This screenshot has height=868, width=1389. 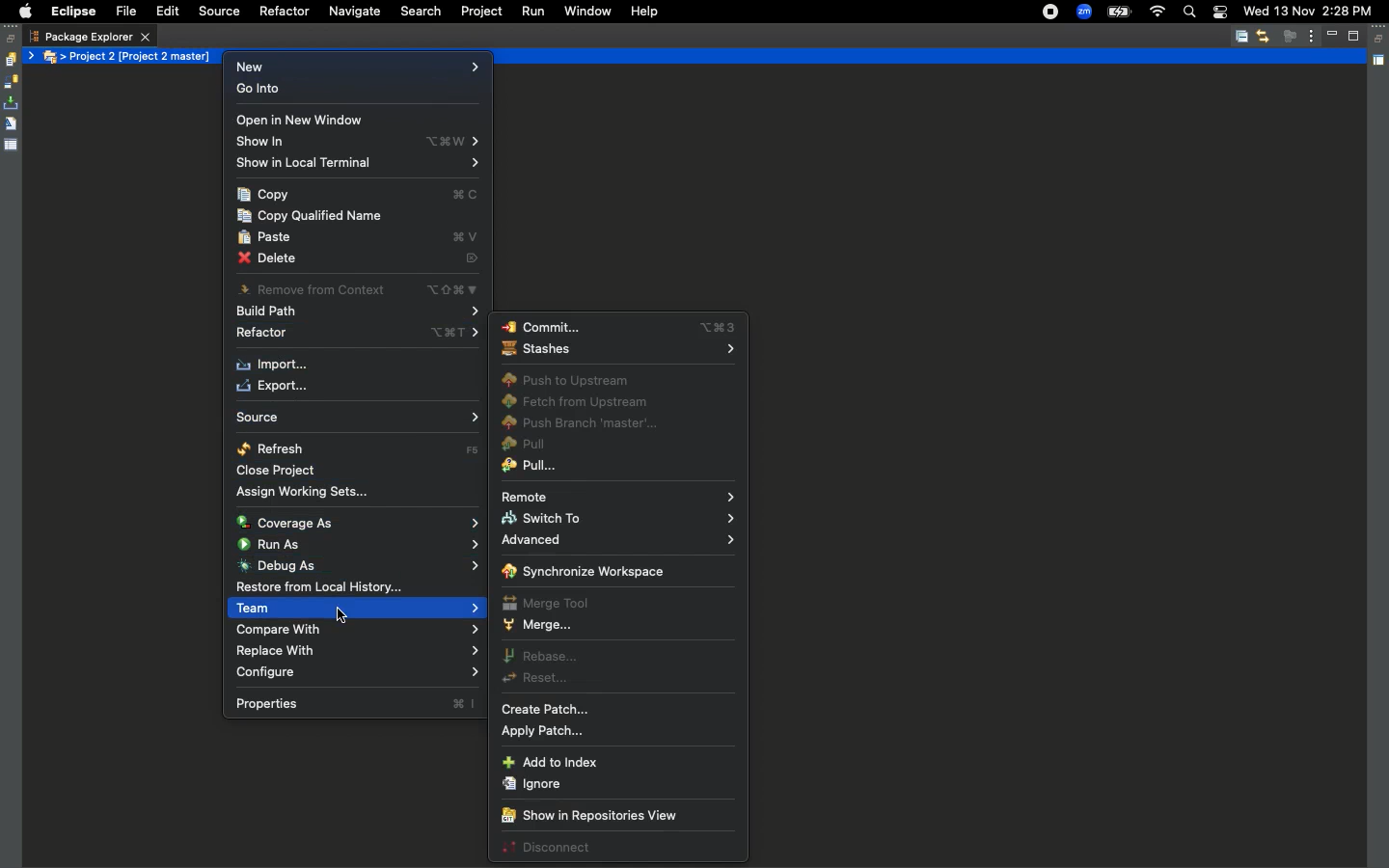 I want to click on Arrow, so click(x=65, y=58).